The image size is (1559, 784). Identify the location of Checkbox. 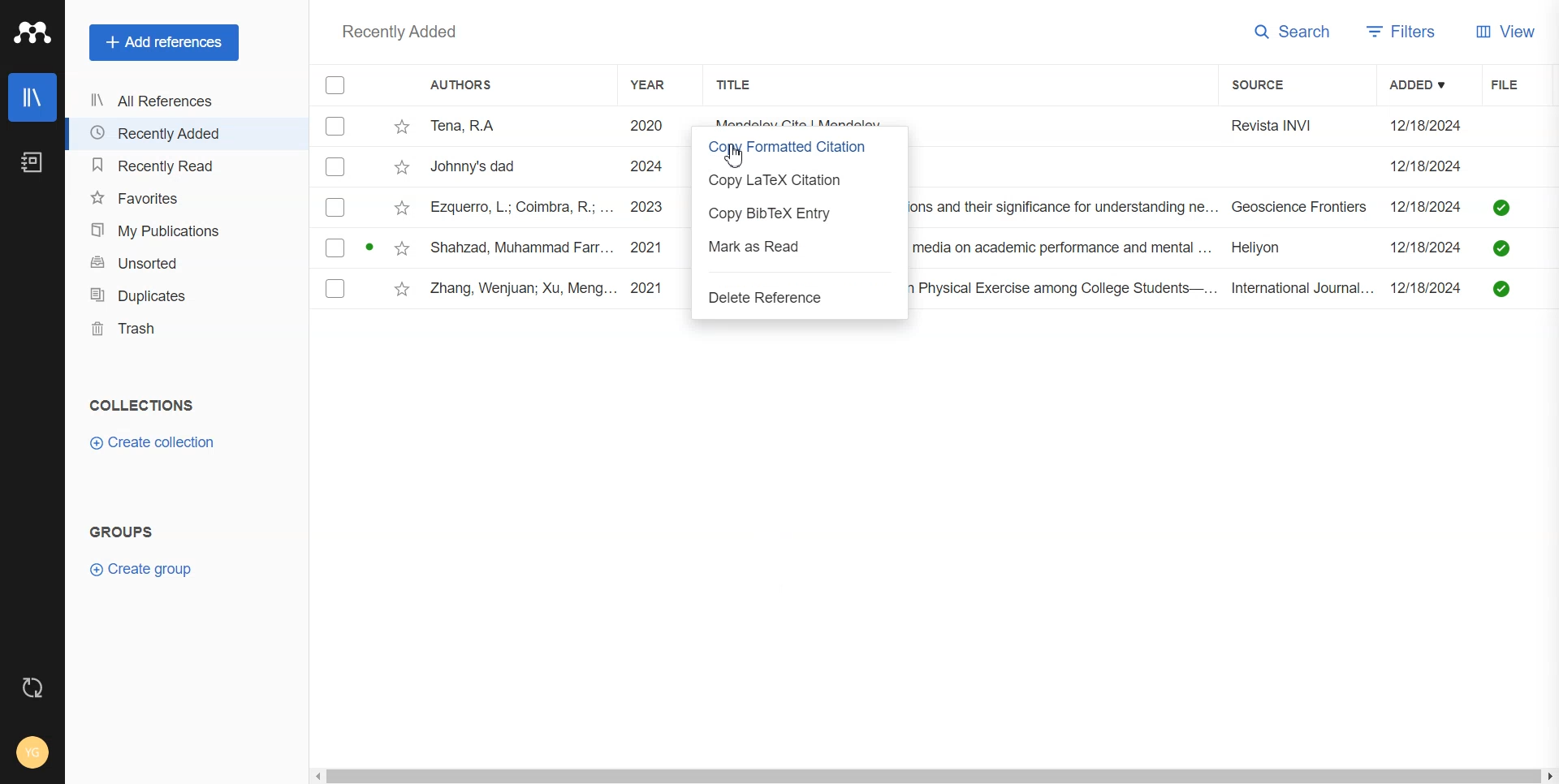
(338, 166).